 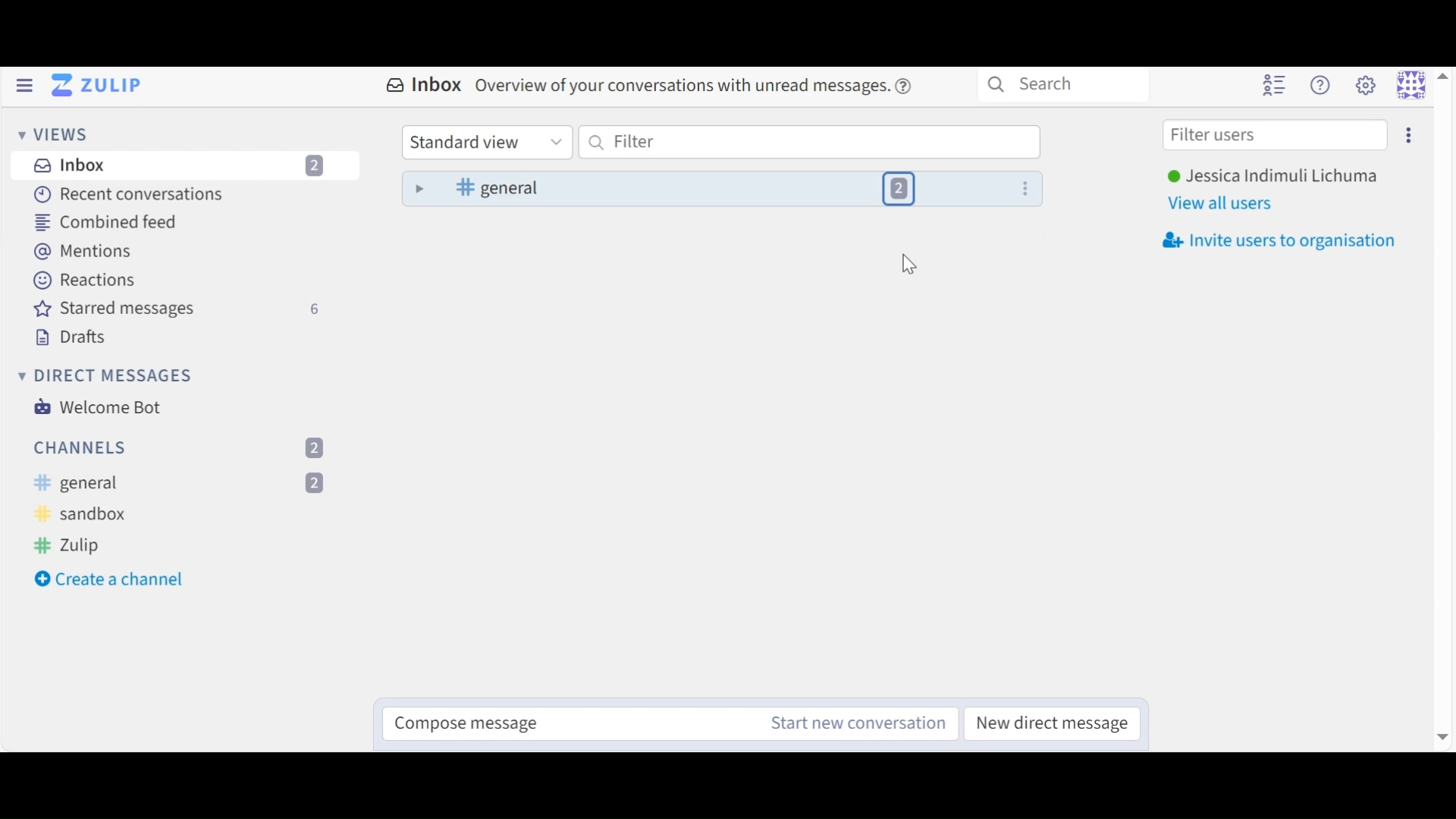 I want to click on Personal menu, so click(x=1409, y=86).